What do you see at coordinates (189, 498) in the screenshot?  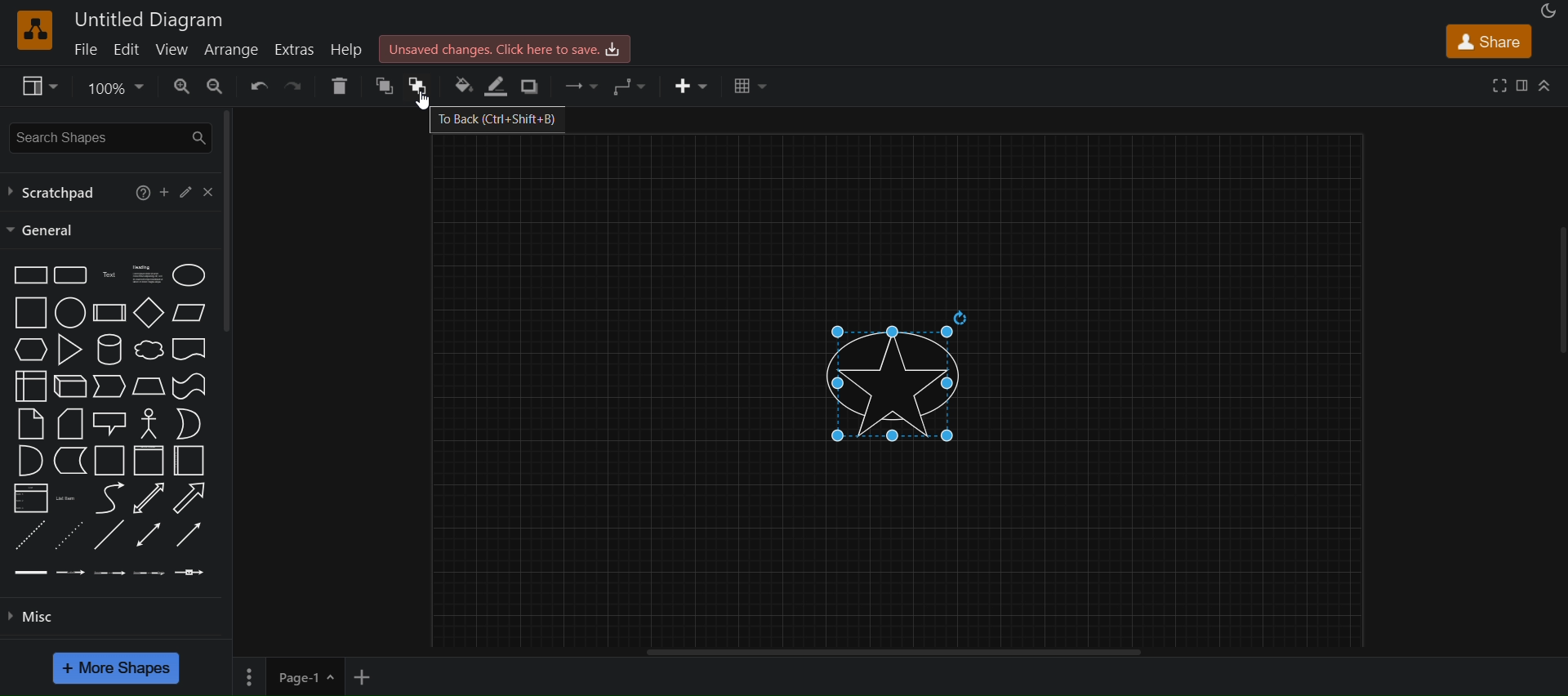 I see `arrow` at bounding box center [189, 498].